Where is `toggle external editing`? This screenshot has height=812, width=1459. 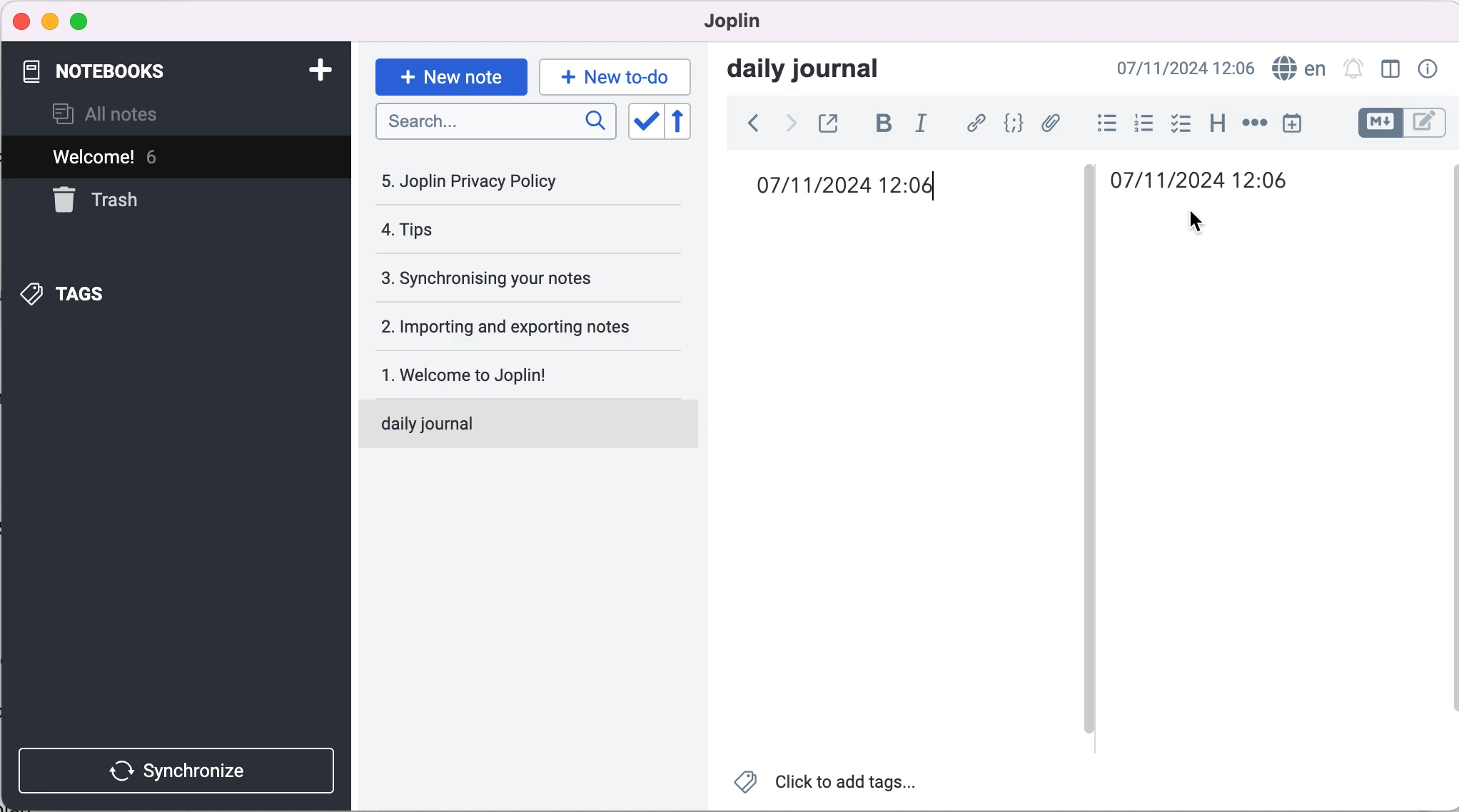 toggle external editing is located at coordinates (832, 123).